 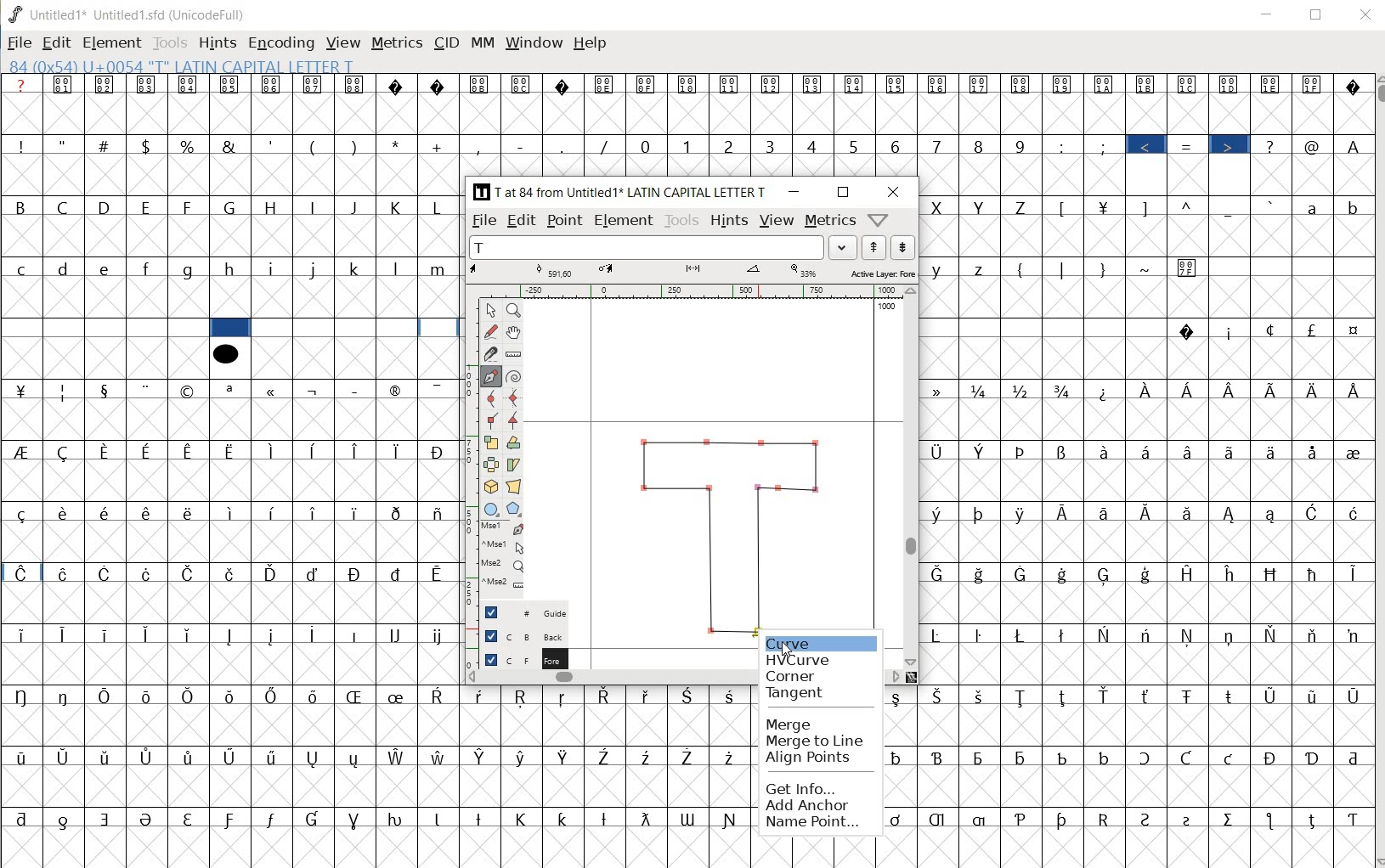 What do you see at coordinates (147, 634) in the screenshot?
I see `Symbol` at bounding box center [147, 634].